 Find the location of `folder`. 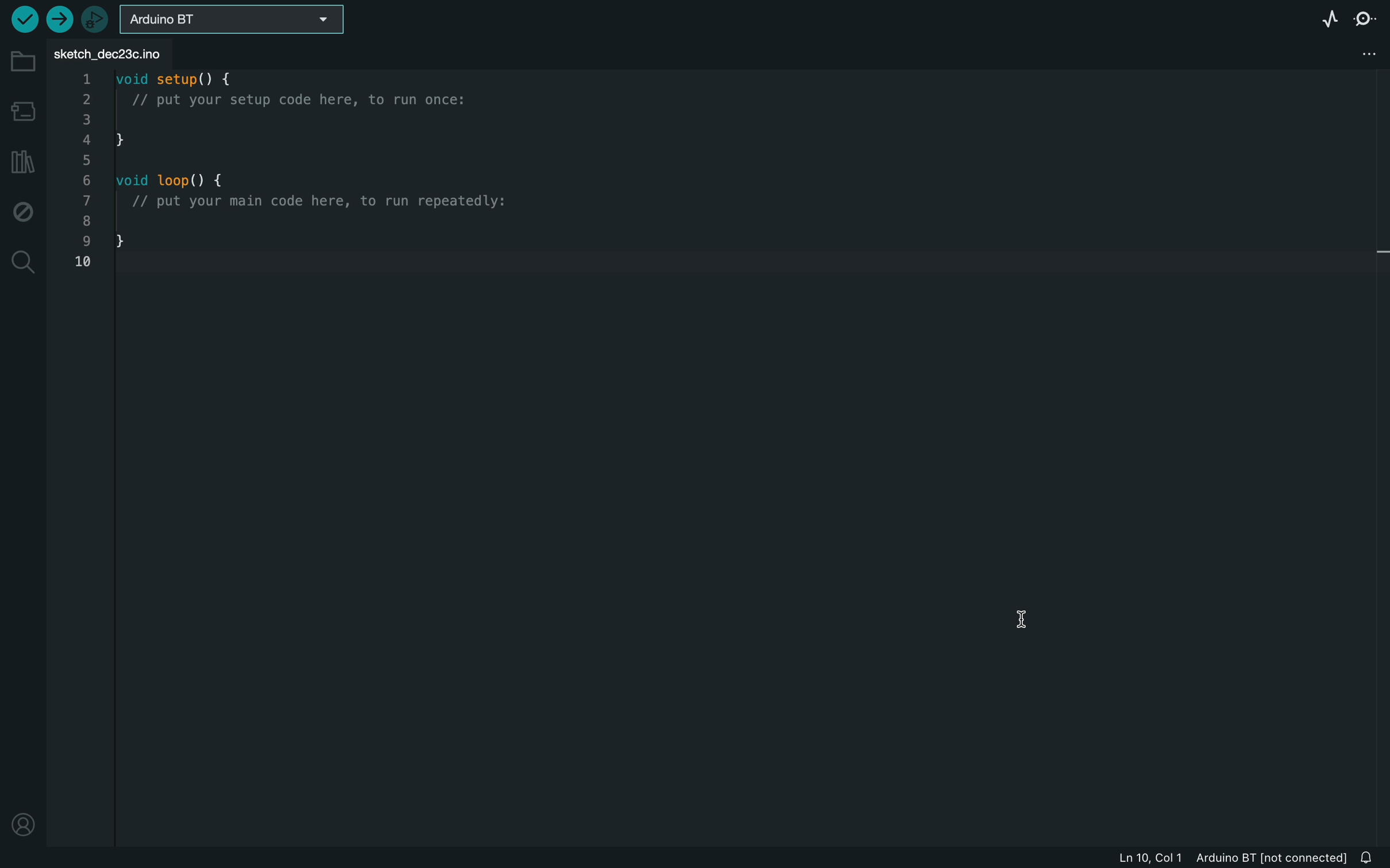

folder is located at coordinates (21, 63).